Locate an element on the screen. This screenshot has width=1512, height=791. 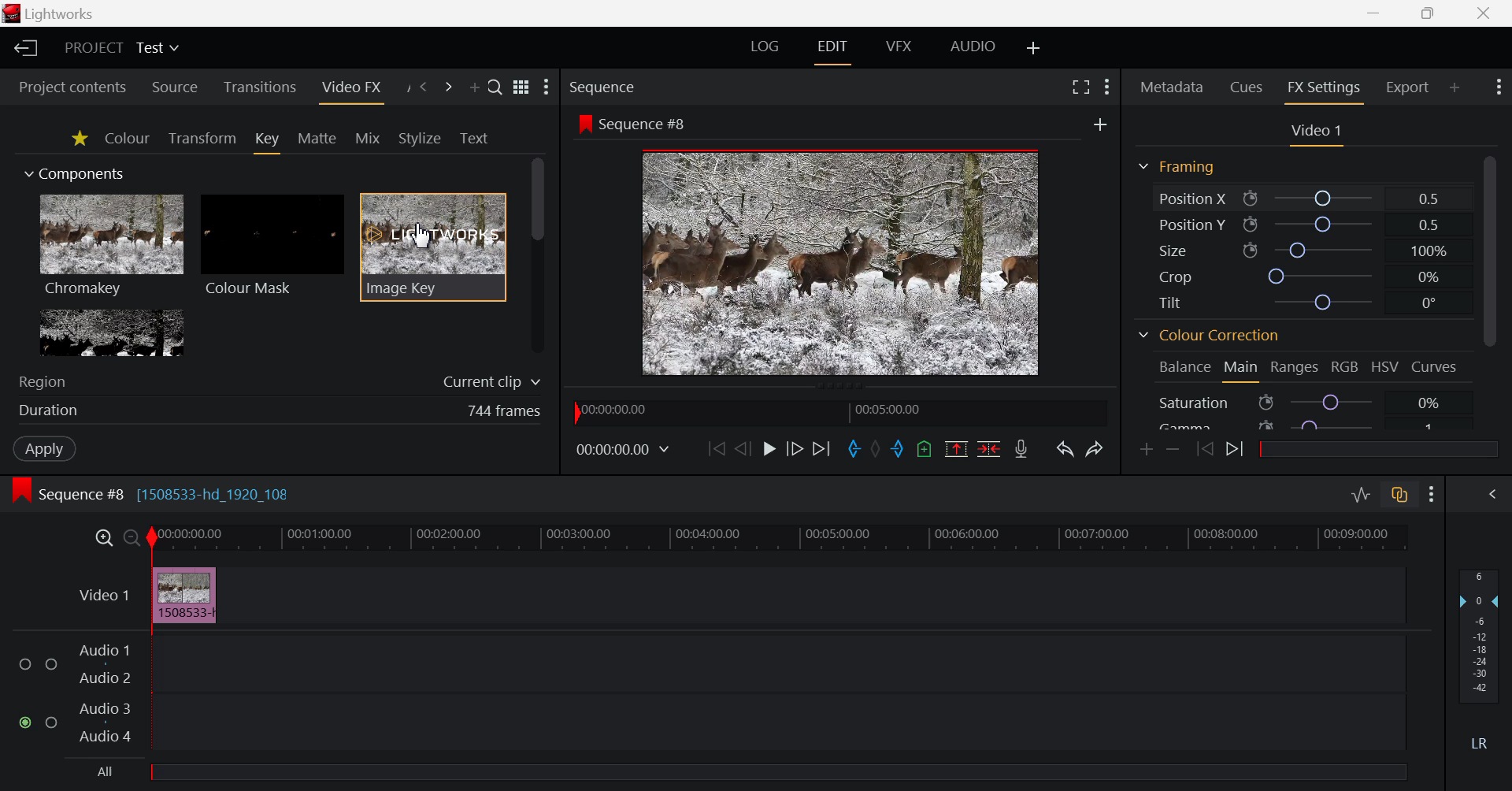
Position X is located at coordinates (1326, 199).